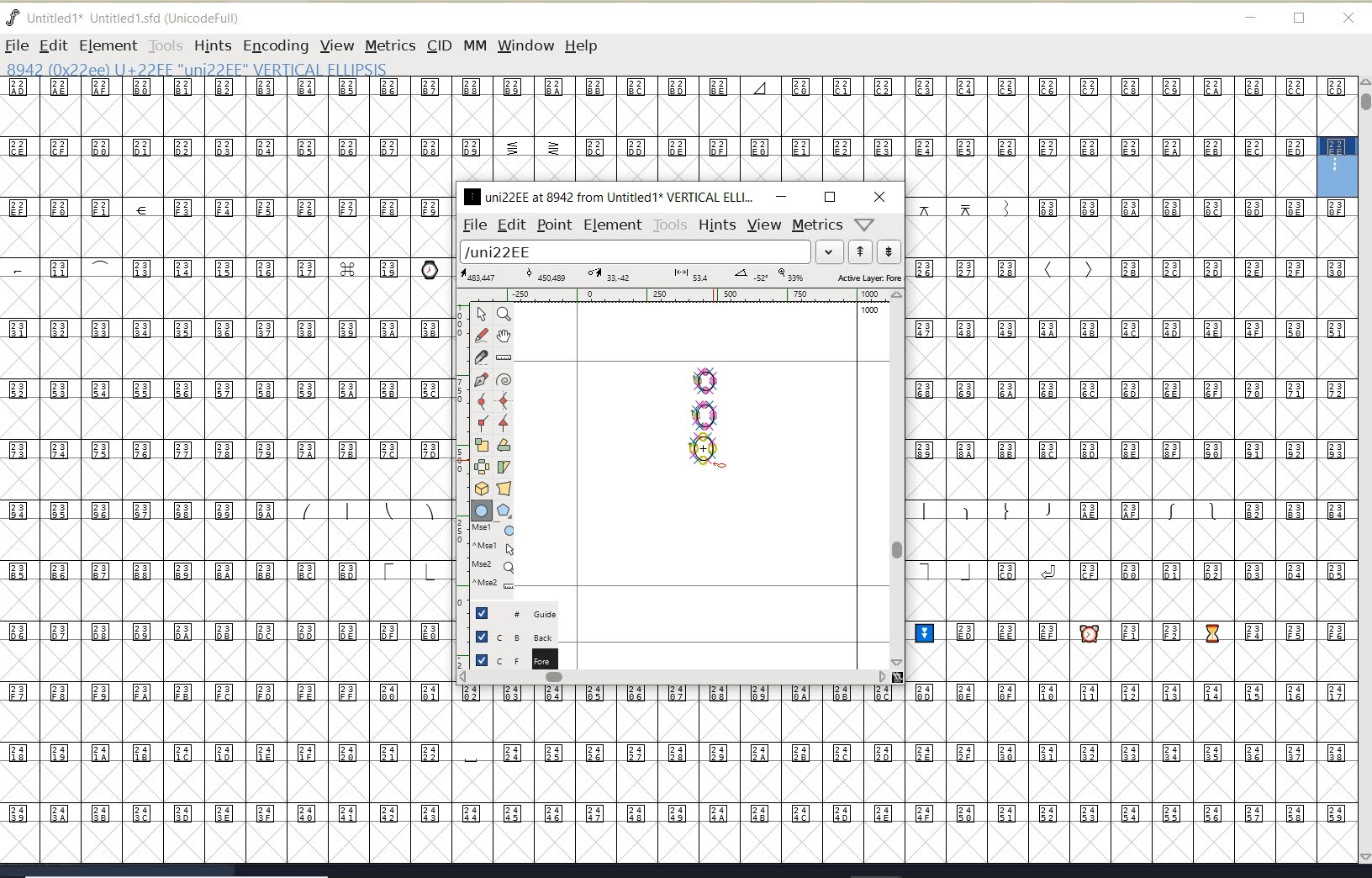  I want to click on close, so click(880, 197).